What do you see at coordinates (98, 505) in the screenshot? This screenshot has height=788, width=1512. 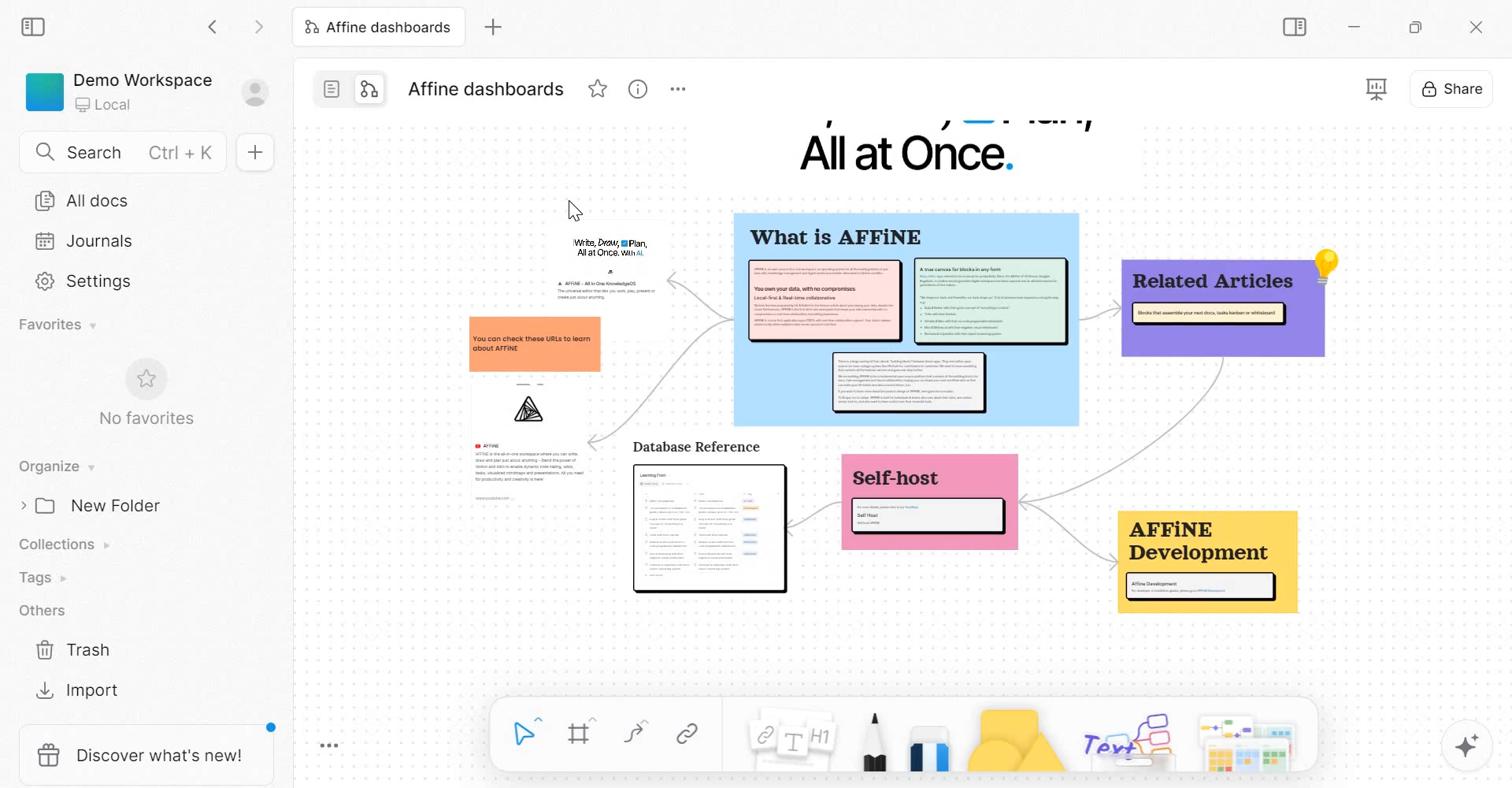 I see `New Folder` at bounding box center [98, 505].